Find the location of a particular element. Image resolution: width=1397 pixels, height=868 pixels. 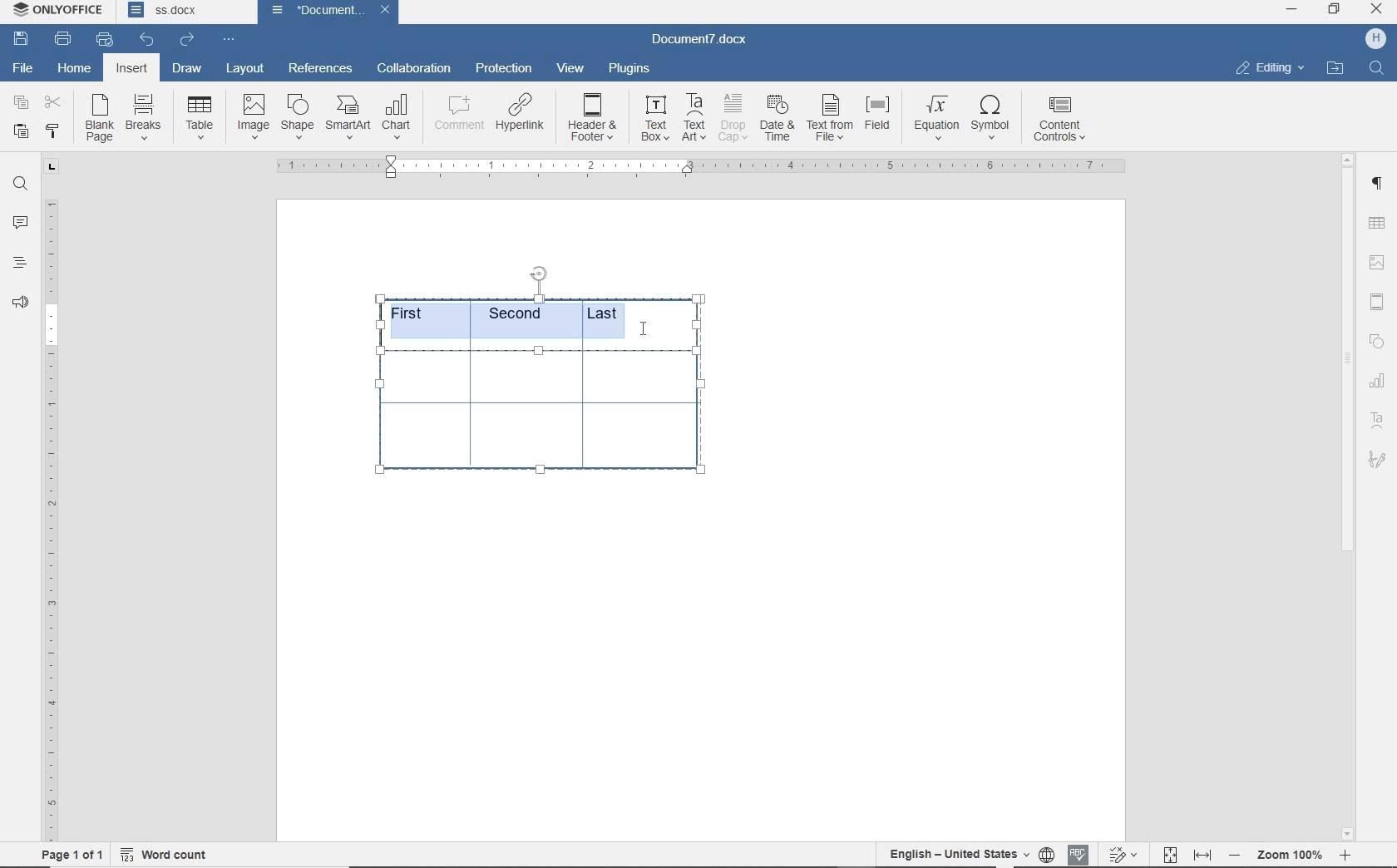

symbol is located at coordinates (994, 116).